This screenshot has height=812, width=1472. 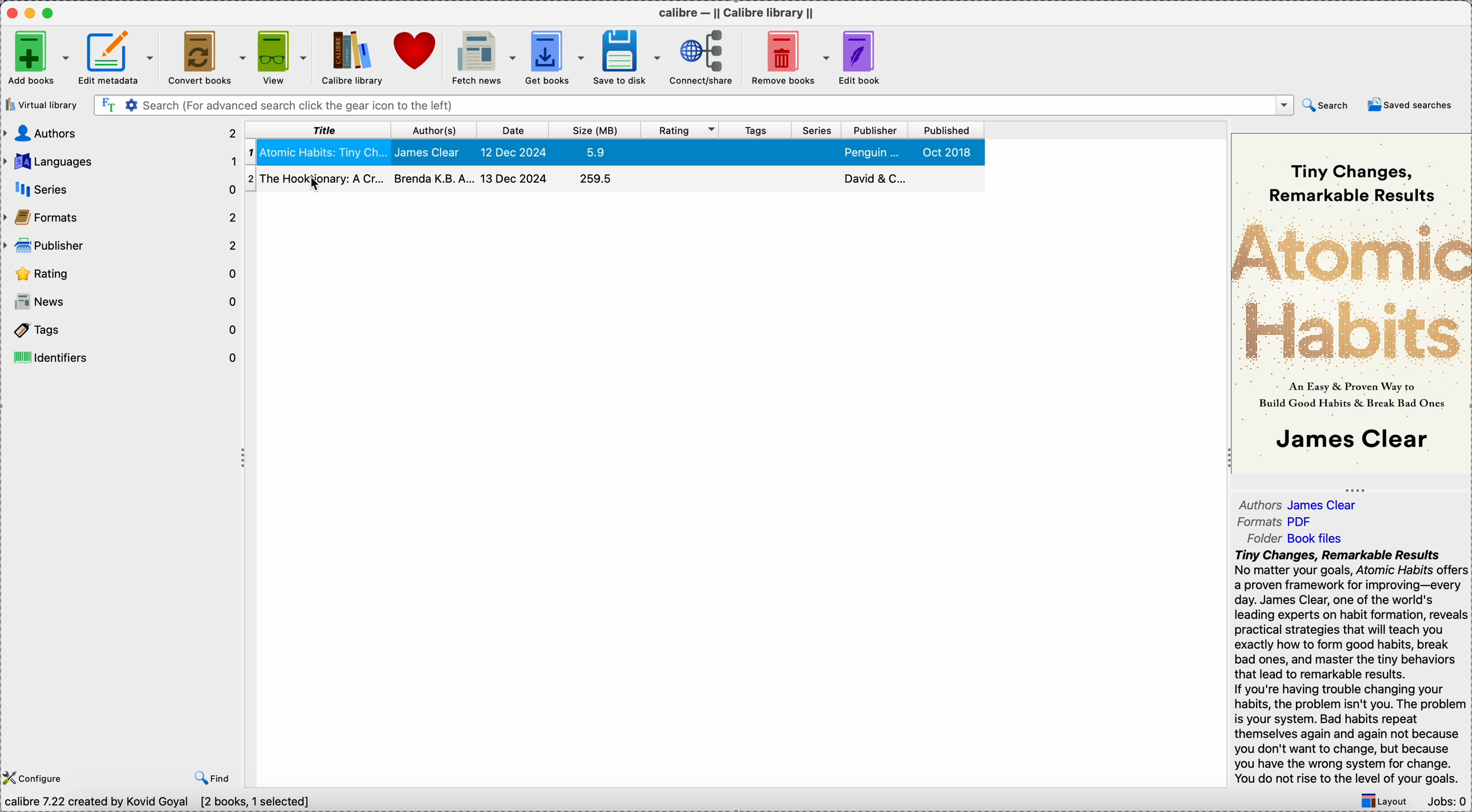 What do you see at coordinates (1385, 800) in the screenshot?
I see `layout` at bounding box center [1385, 800].